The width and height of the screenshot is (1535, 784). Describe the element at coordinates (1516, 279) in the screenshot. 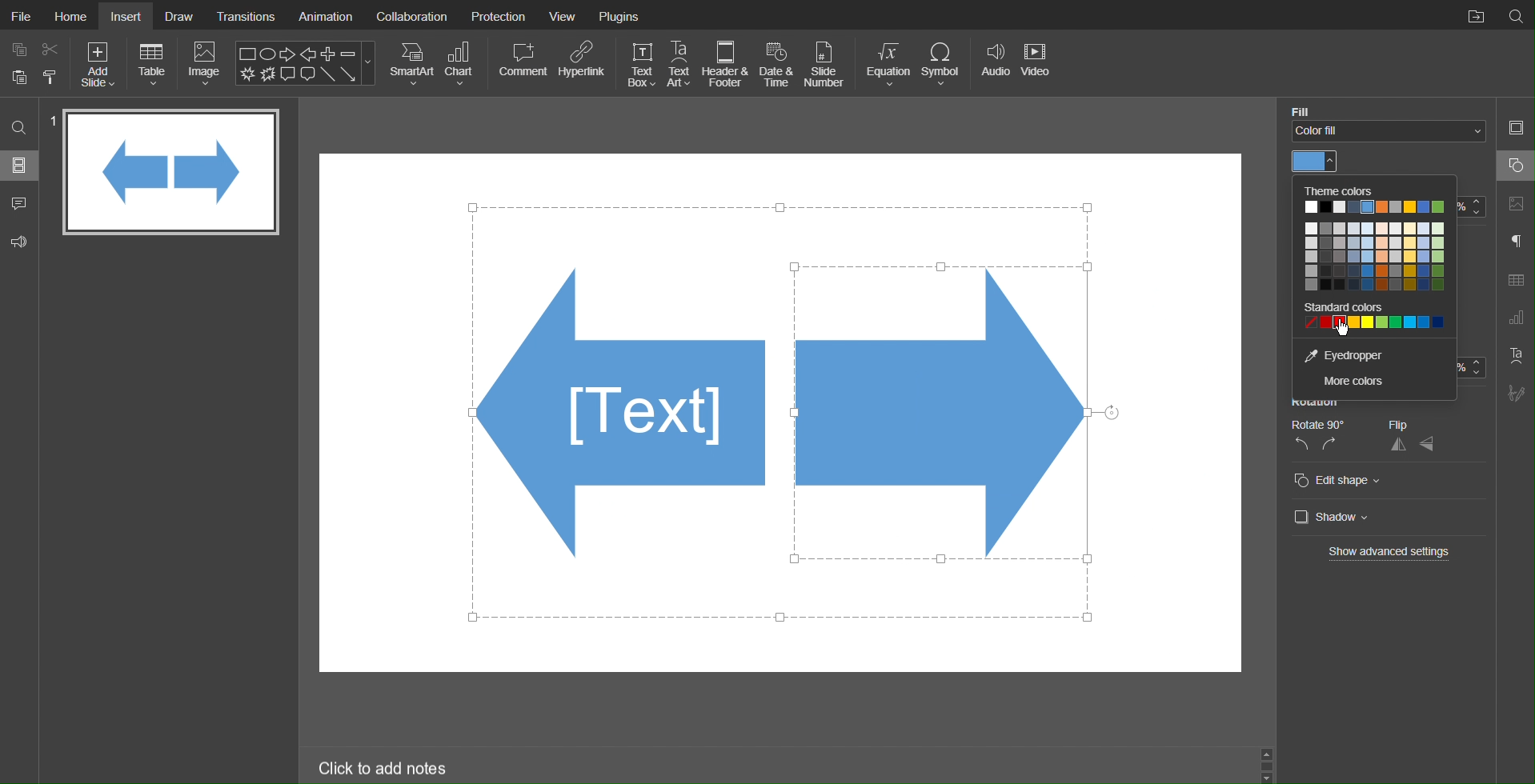

I see `Table Settings` at that location.